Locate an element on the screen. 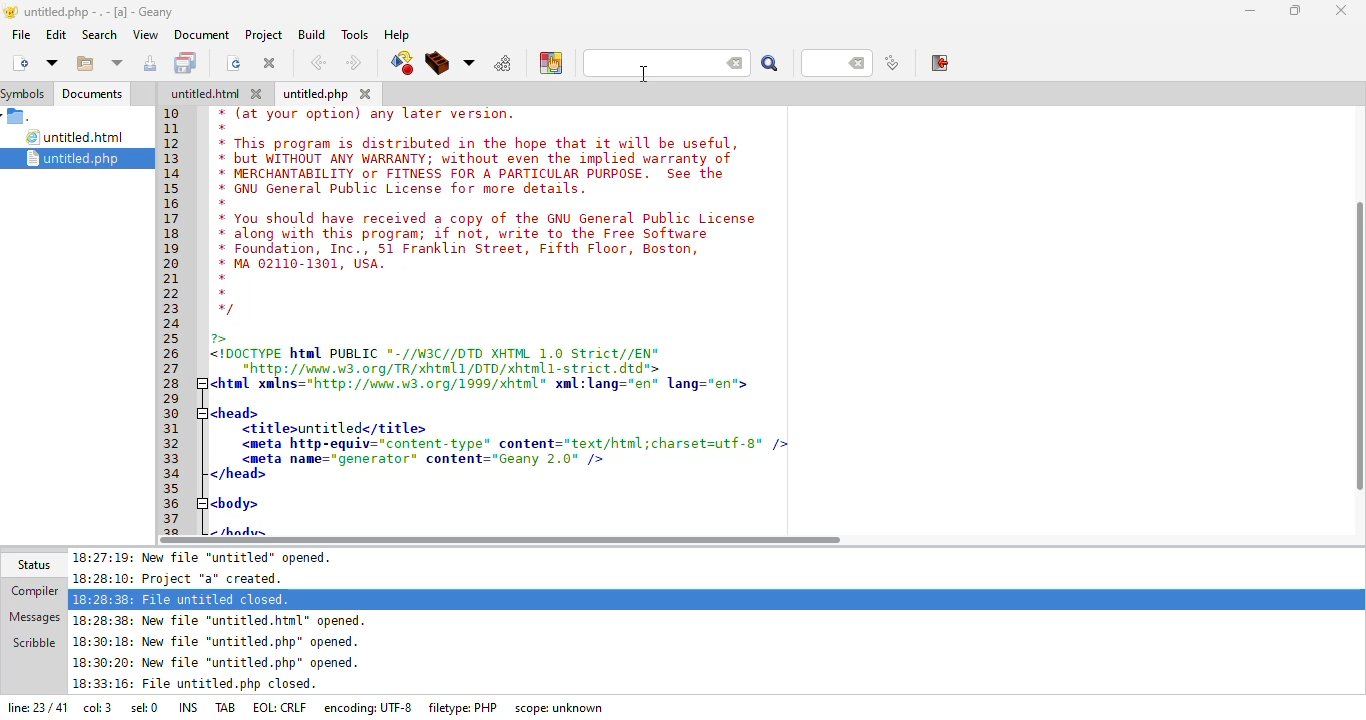 The height and width of the screenshot is (720, 1366). reload is located at coordinates (234, 63).